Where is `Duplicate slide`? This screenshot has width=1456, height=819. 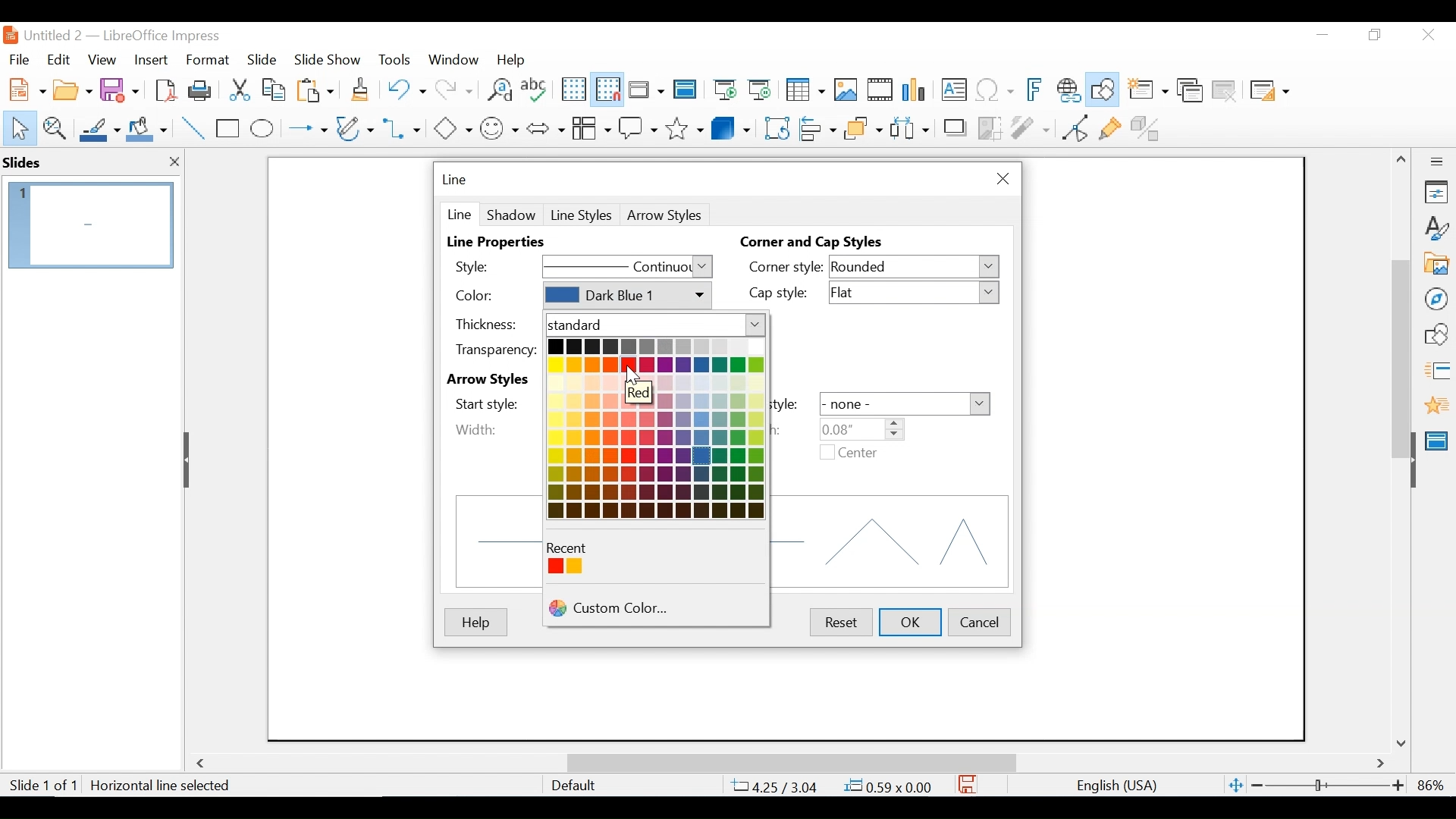 Duplicate slide is located at coordinates (1190, 91).